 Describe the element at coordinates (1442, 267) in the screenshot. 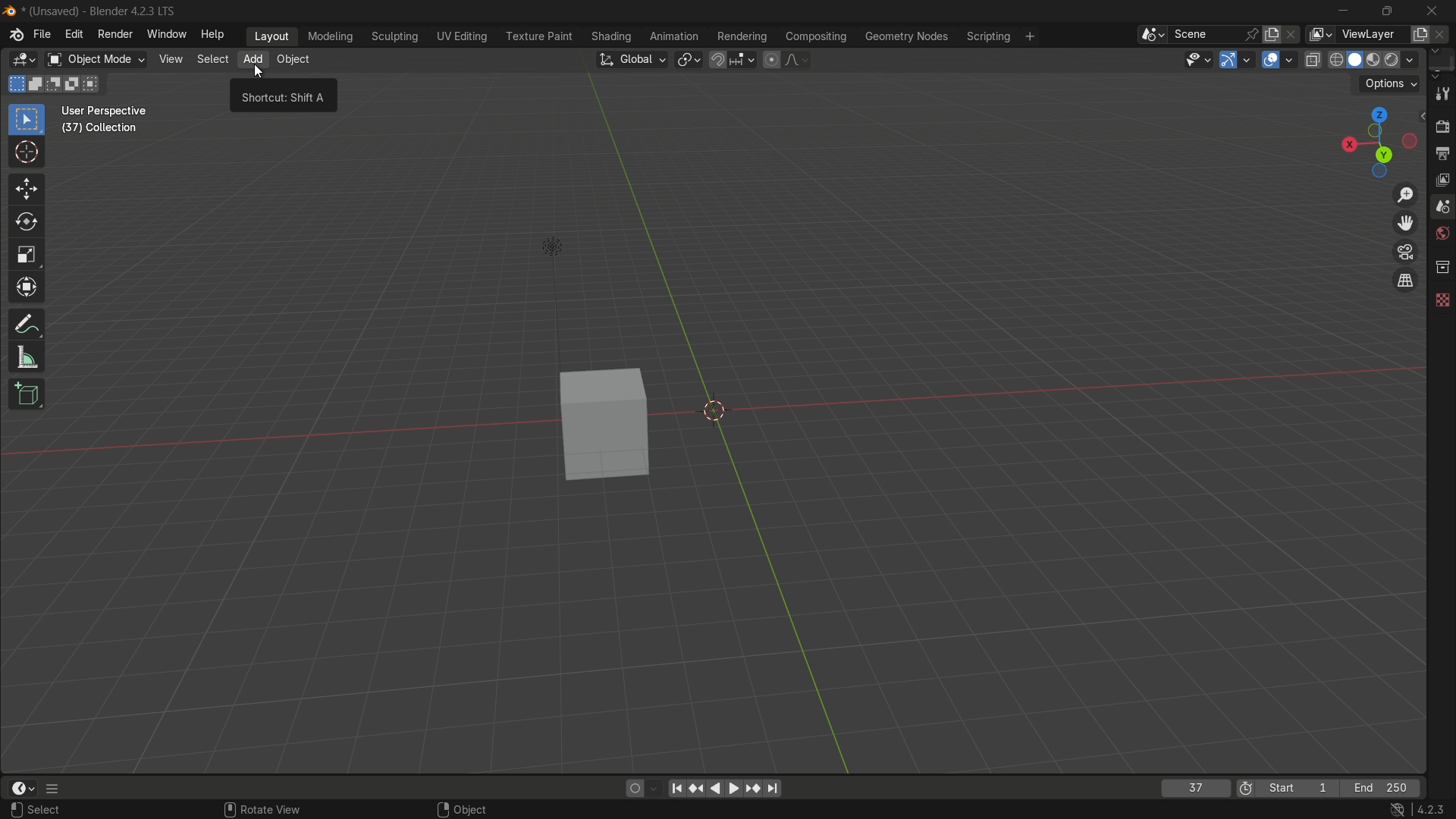

I see `collections` at that location.